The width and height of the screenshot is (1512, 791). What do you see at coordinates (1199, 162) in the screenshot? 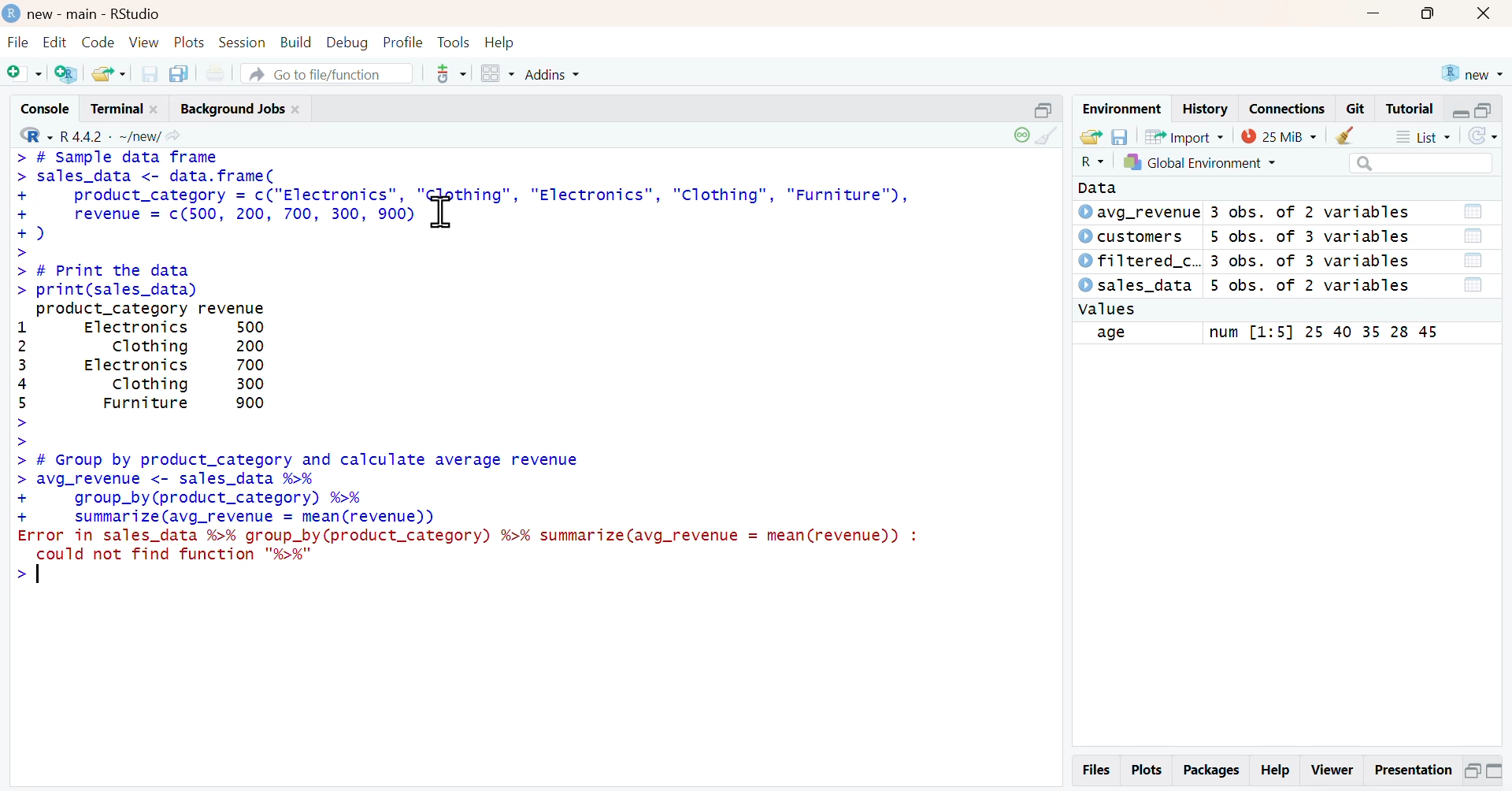
I see `Select Environment - Global Environment` at bounding box center [1199, 162].